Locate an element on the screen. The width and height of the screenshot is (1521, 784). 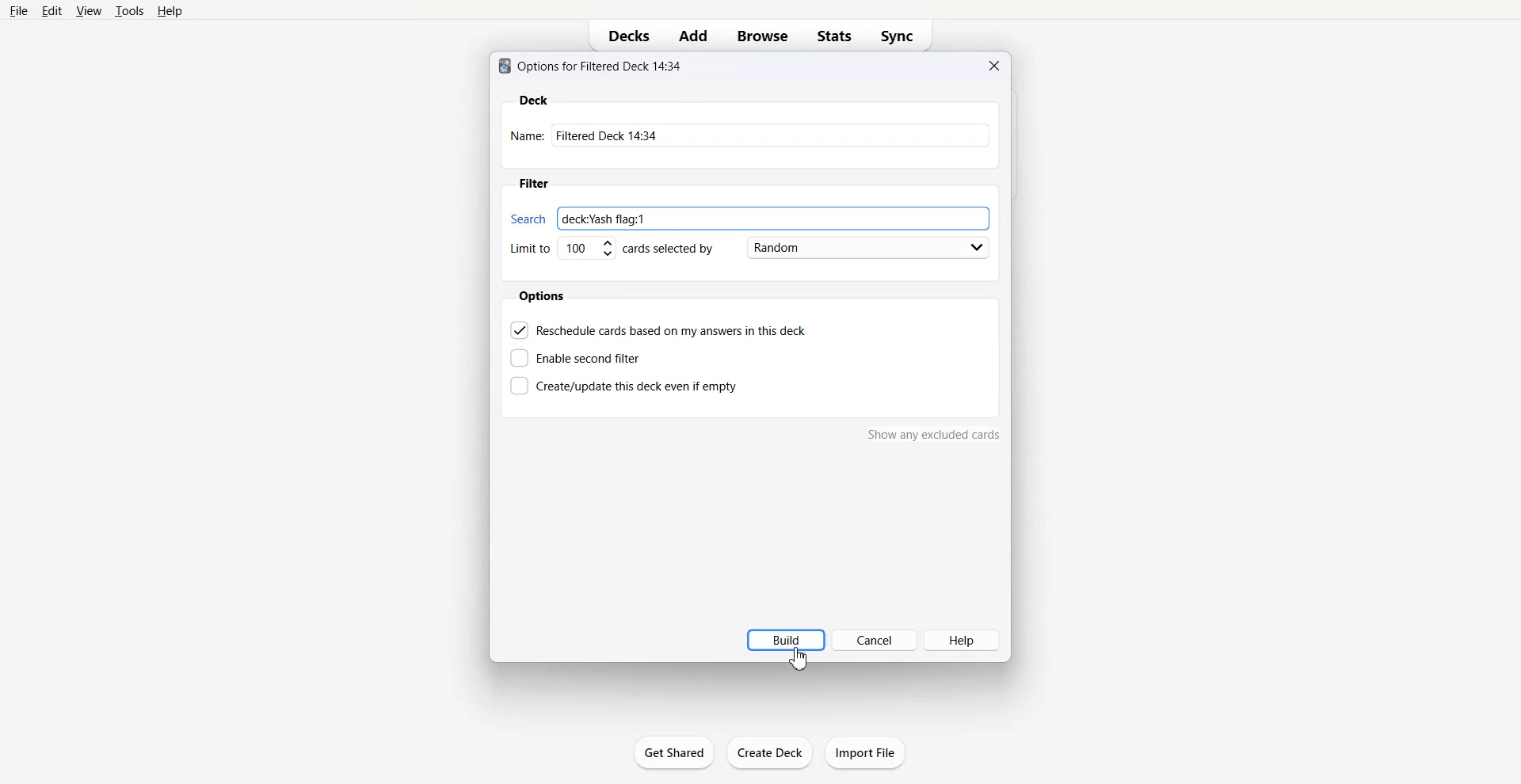
Create Deck is located at coordinates (769, 752).